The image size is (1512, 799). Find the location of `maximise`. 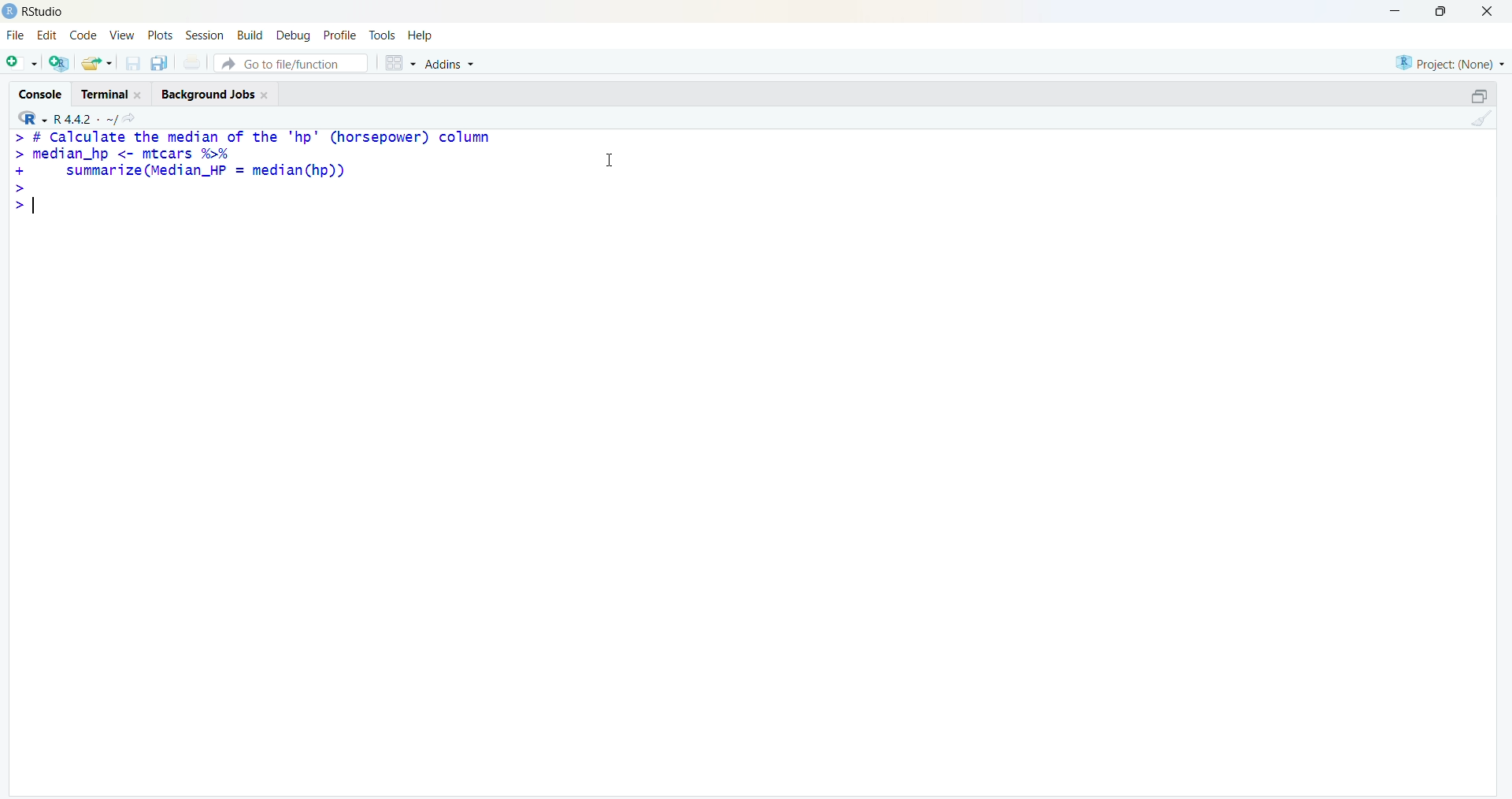

maximise is located at coordinates (1441, 11).